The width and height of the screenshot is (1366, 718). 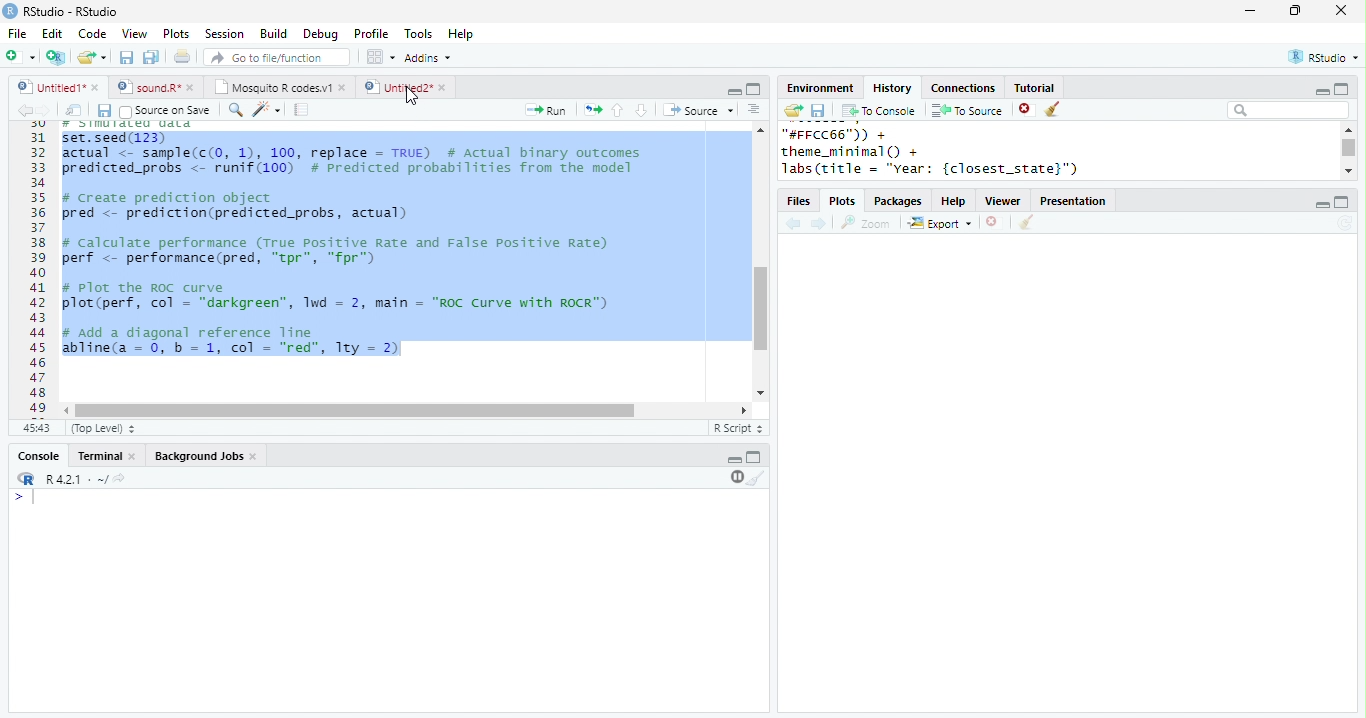 What do you see at coordinates (800, 202) in the screenshot?
I see `files` at bounding box center [800, 202].